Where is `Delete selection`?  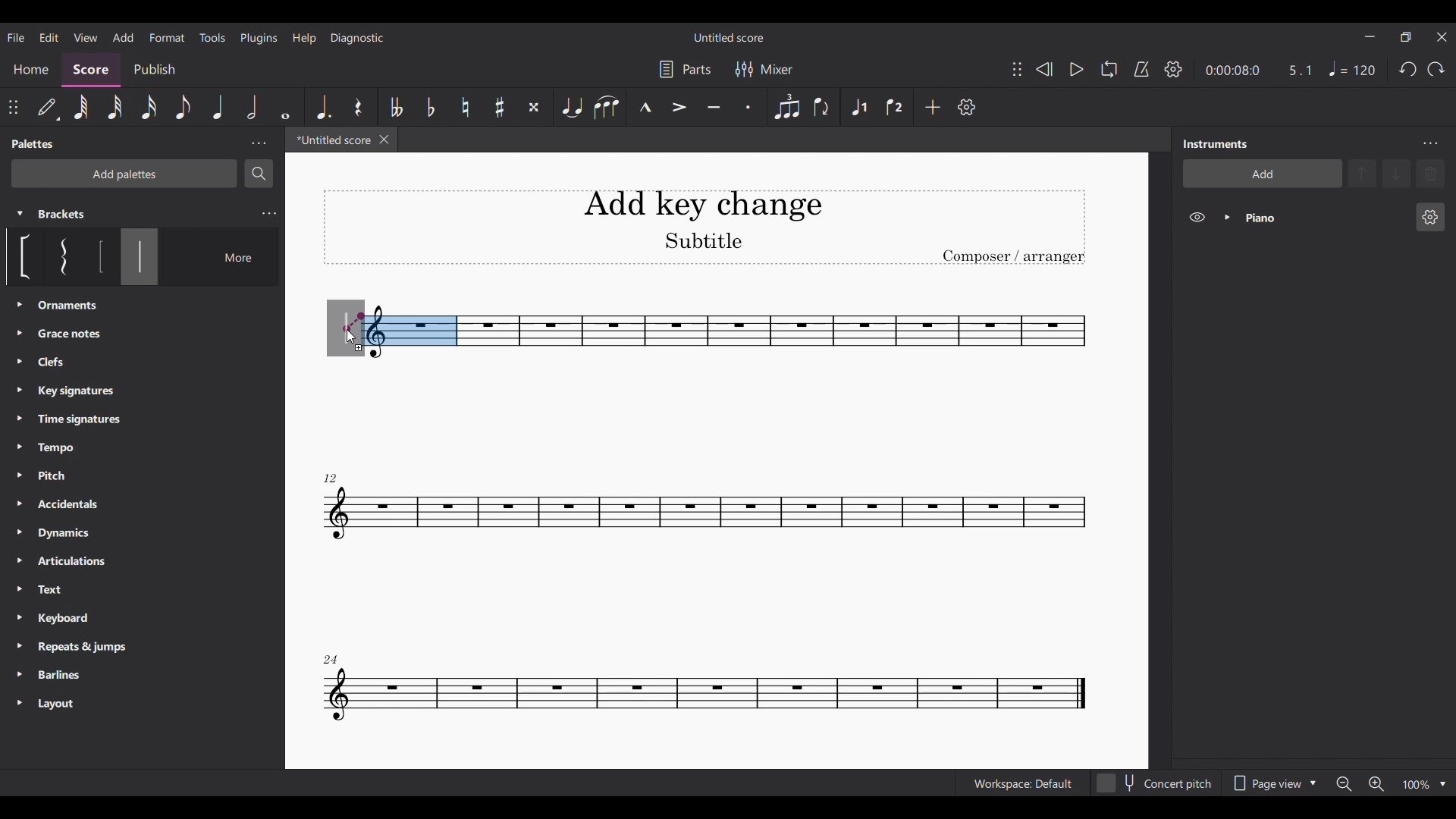 Delete selection is located at coordinates (1431, 174).